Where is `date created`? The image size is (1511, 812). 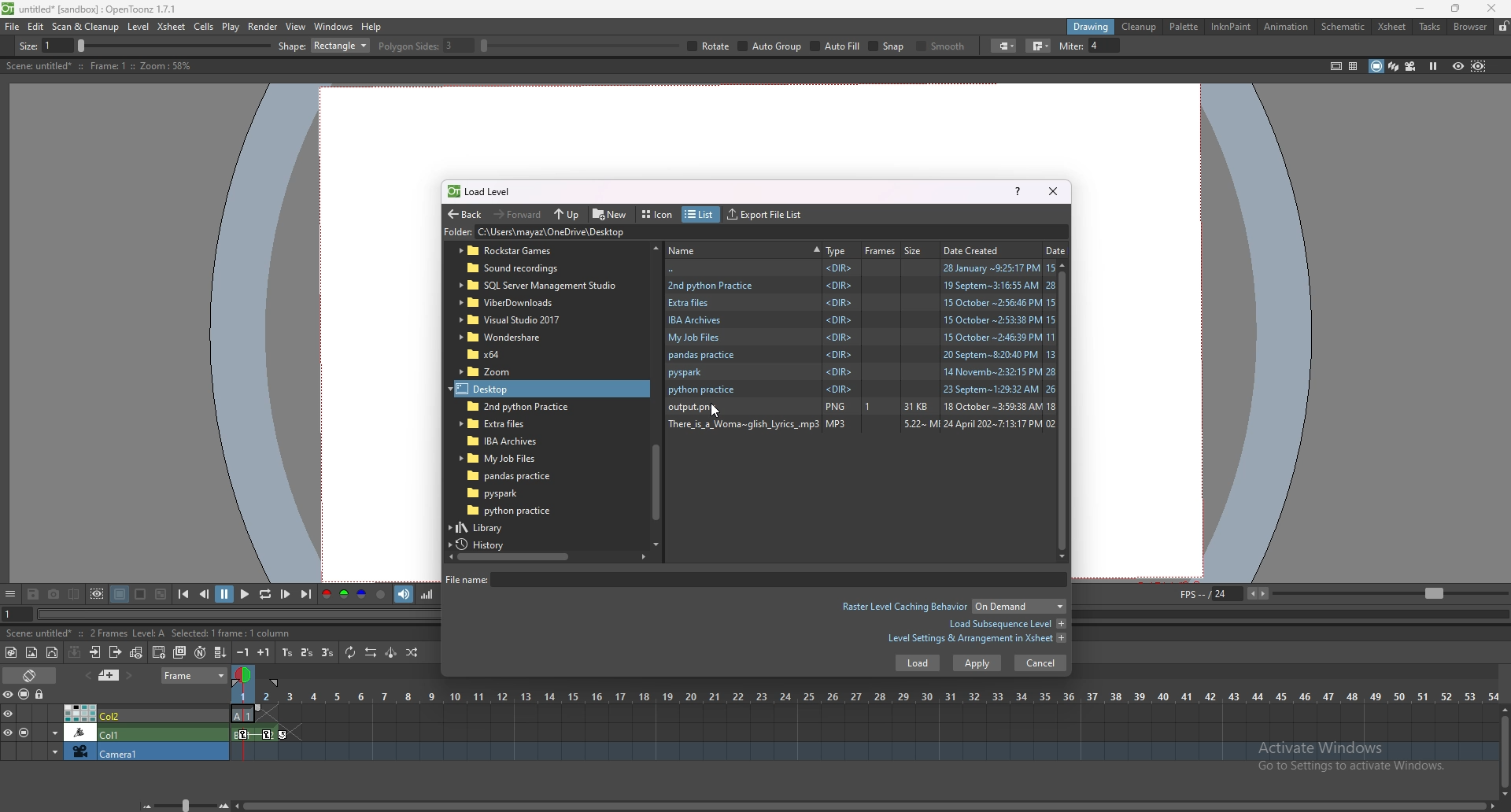 date created is located at coordinates (977, 249).